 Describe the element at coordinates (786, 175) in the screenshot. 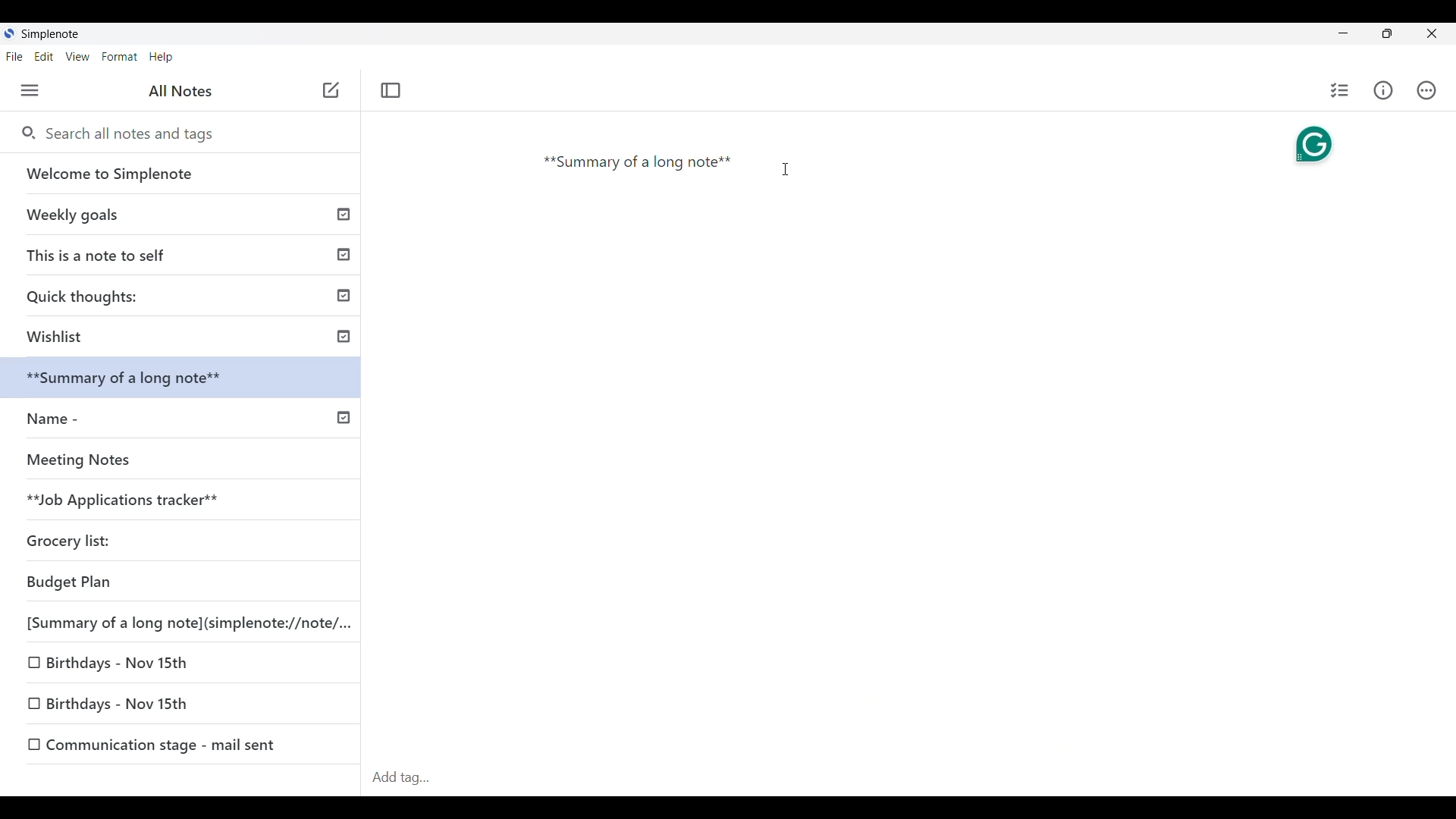

I see `Cursor` at that location.